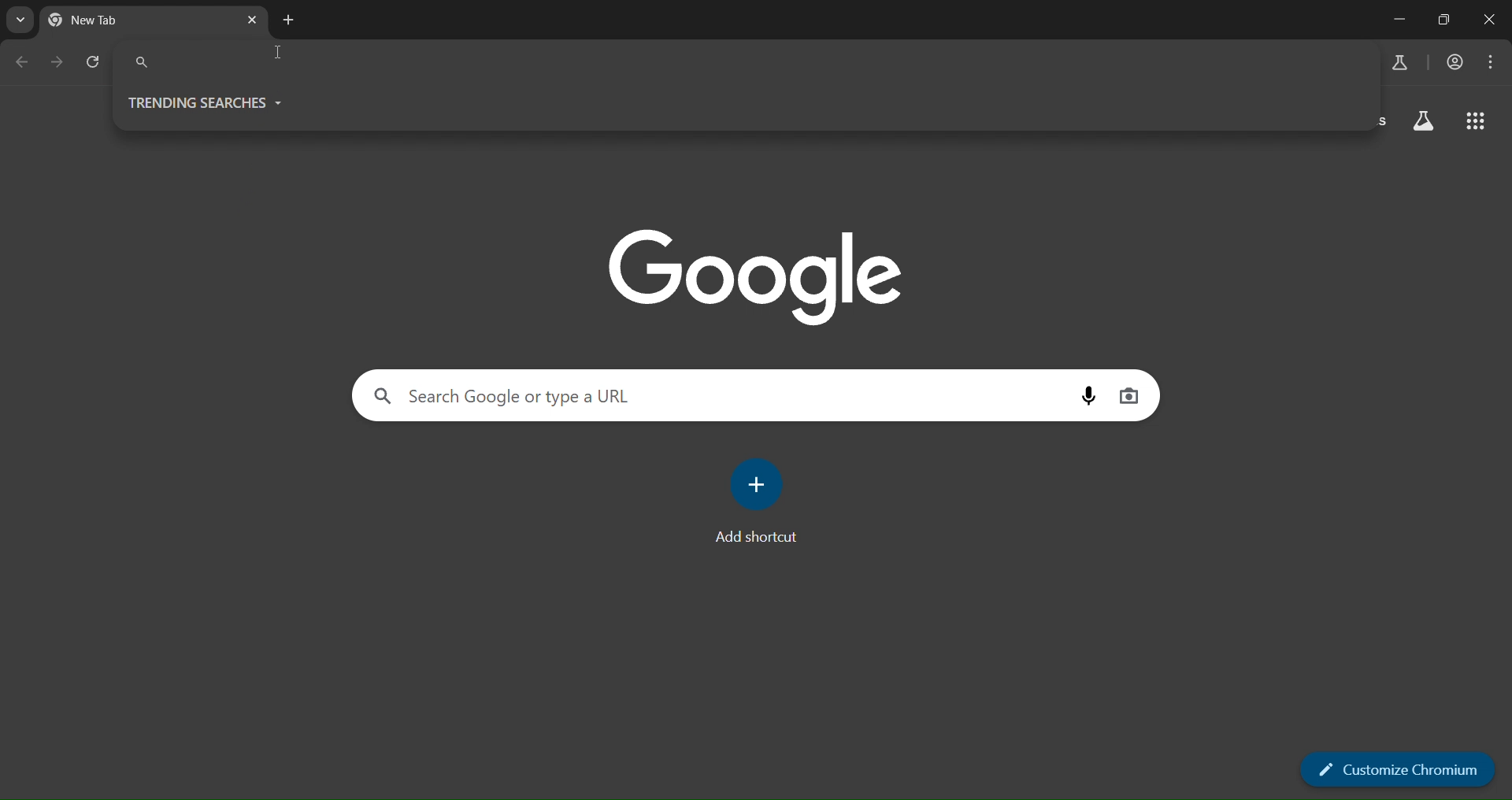 The width and height of the screenshot is (1512, 800). Describe the element at coordinates (1475, 121) in the screenshot. I see `google apps` at that location.